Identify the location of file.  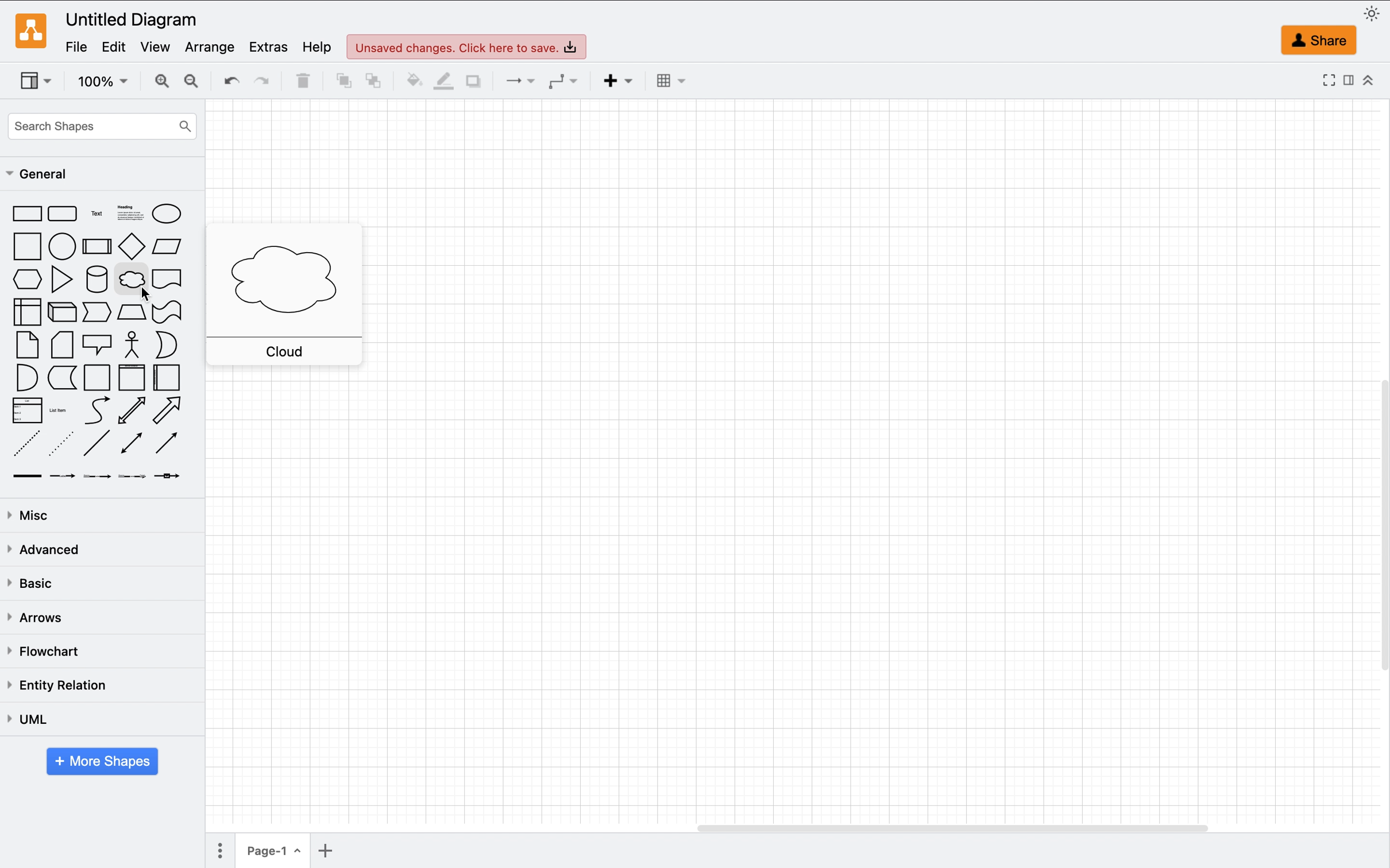
(76, 46).